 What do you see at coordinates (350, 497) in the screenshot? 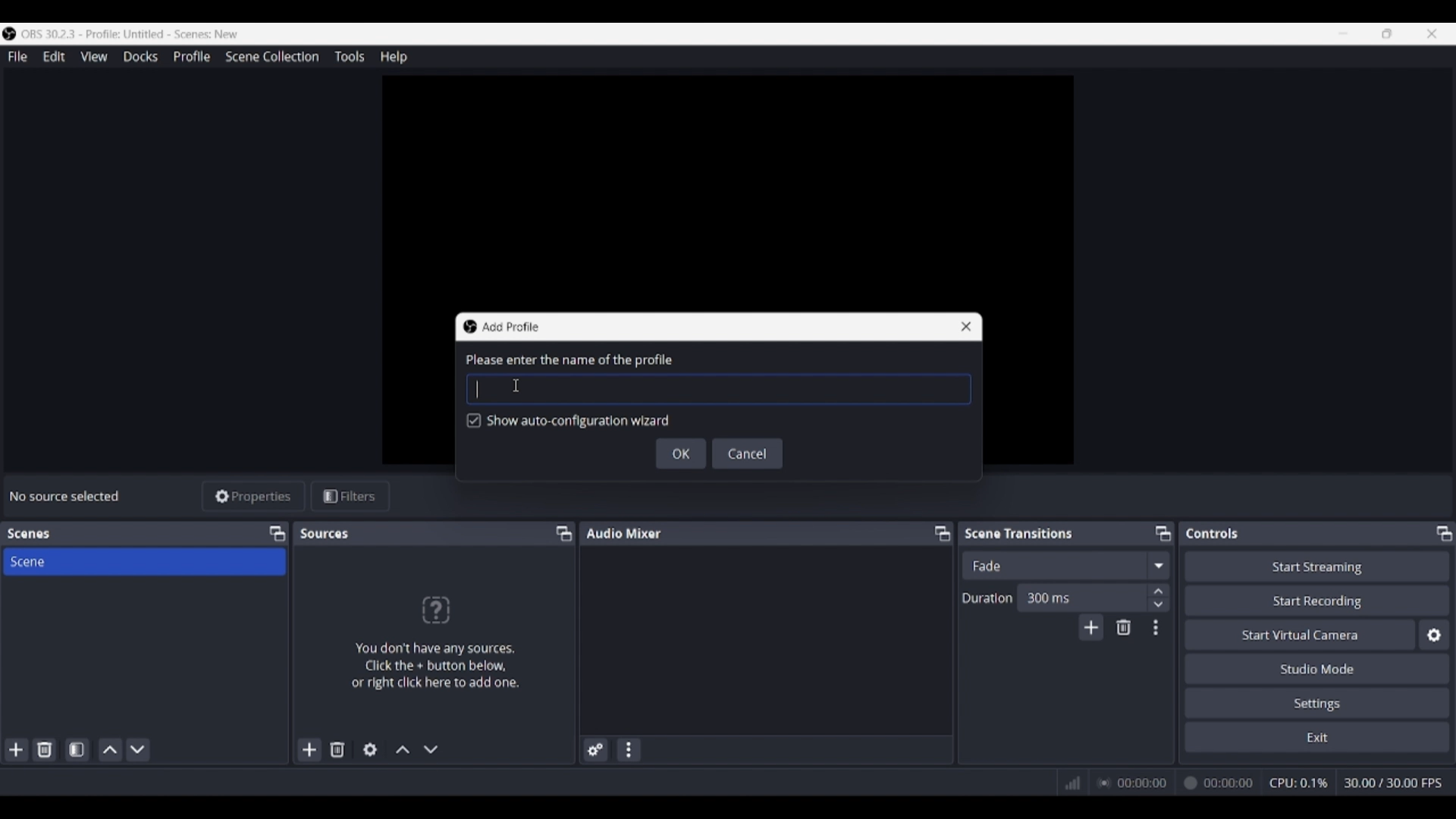
I see `Filters` at bounding box center [350, 497].